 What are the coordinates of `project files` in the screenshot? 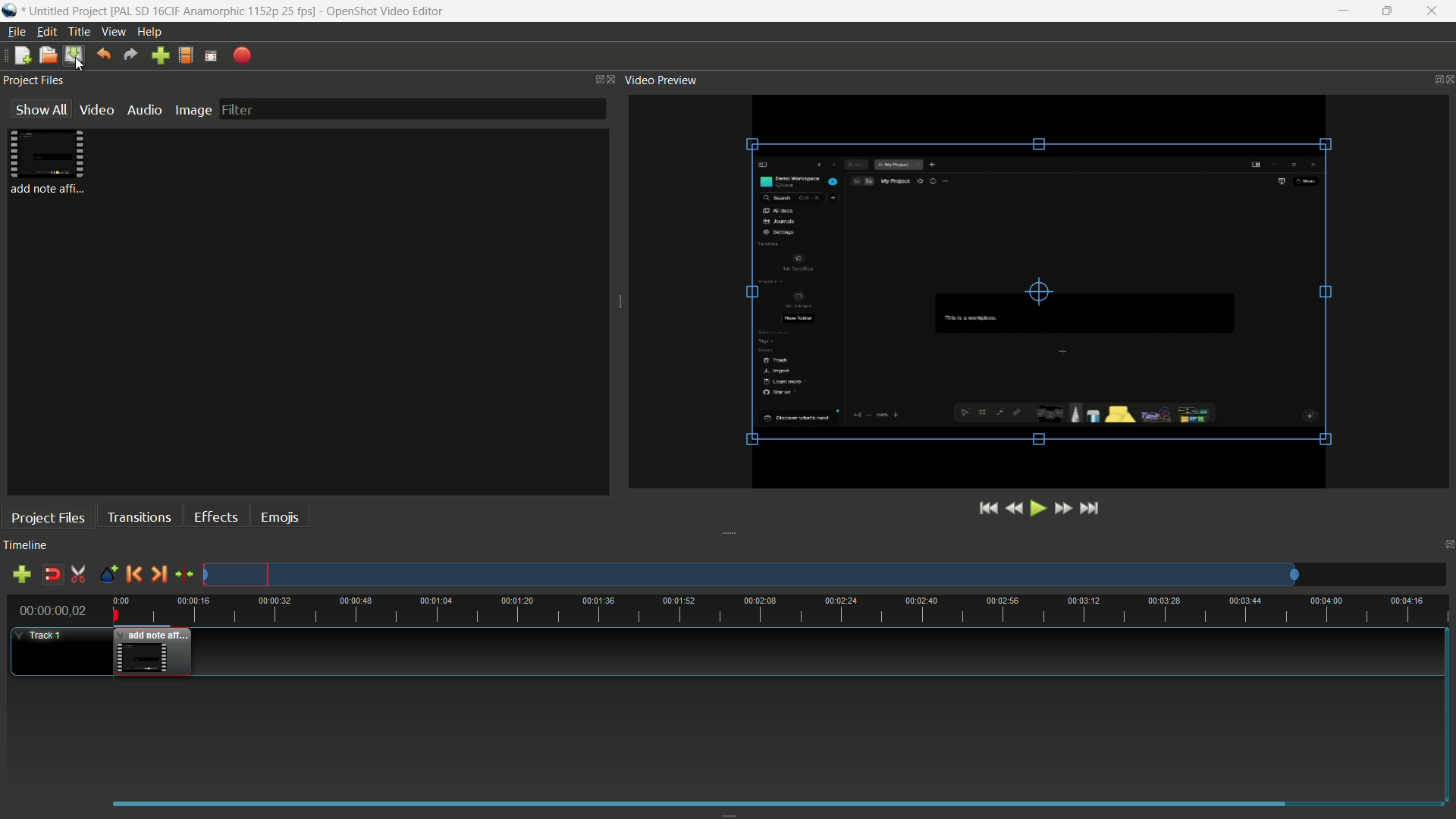 It's located at (48, 518).